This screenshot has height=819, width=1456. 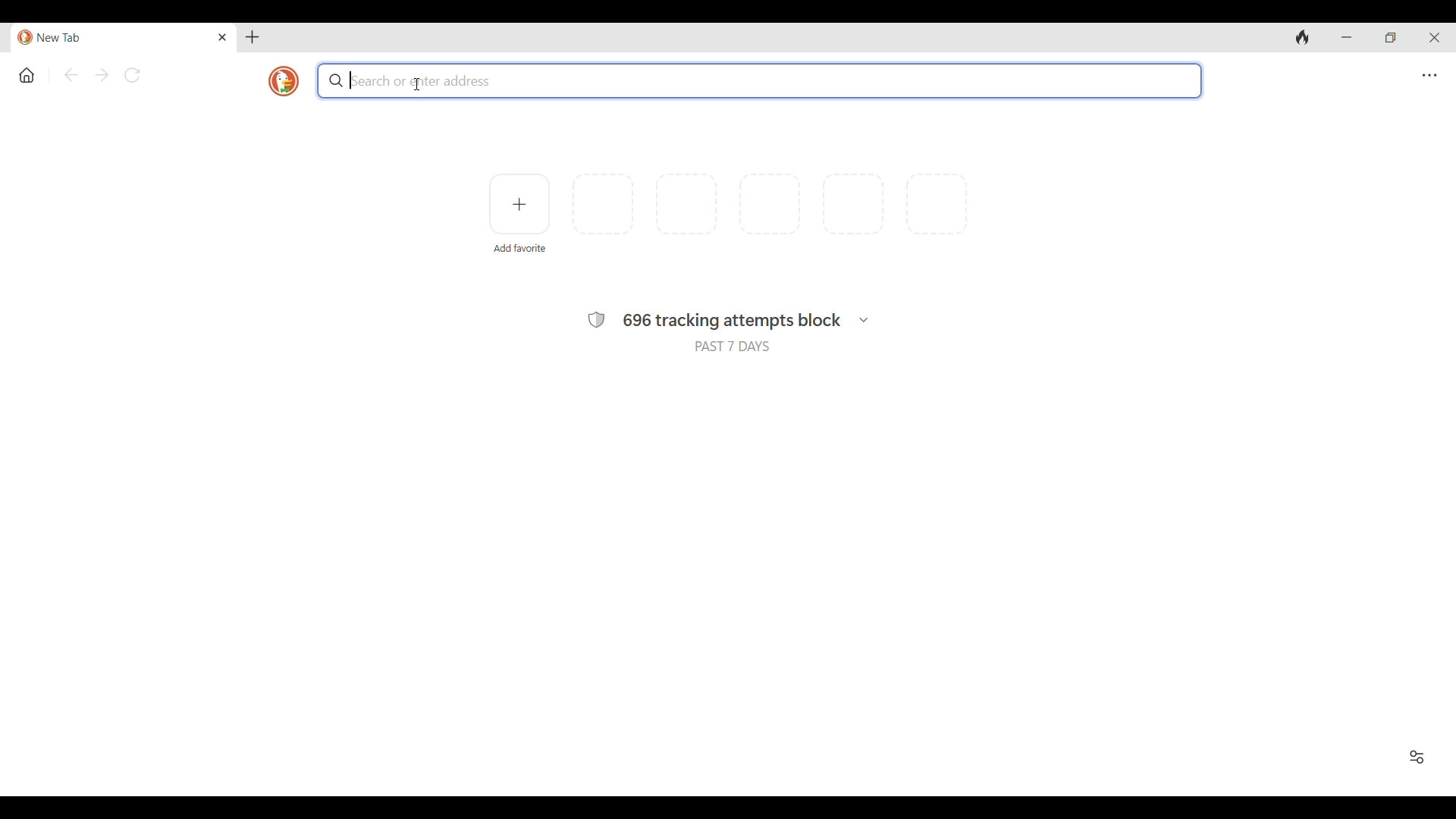 What do you see at coordinates (733, 322) in the screenshot?
I see `696 tracking attempts block` at bounding box center [733, 322].